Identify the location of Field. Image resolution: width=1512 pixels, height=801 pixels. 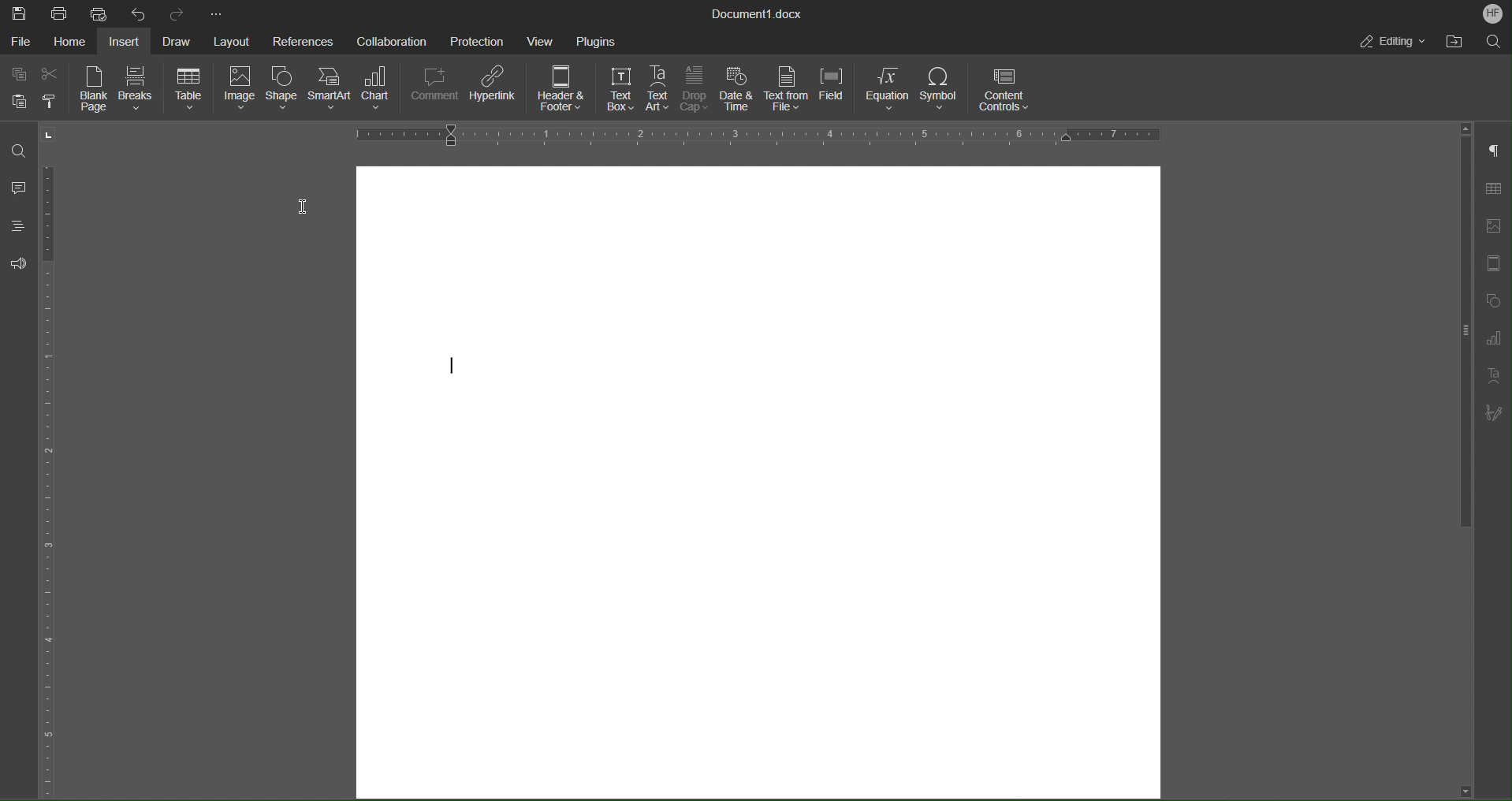
(832, 90).